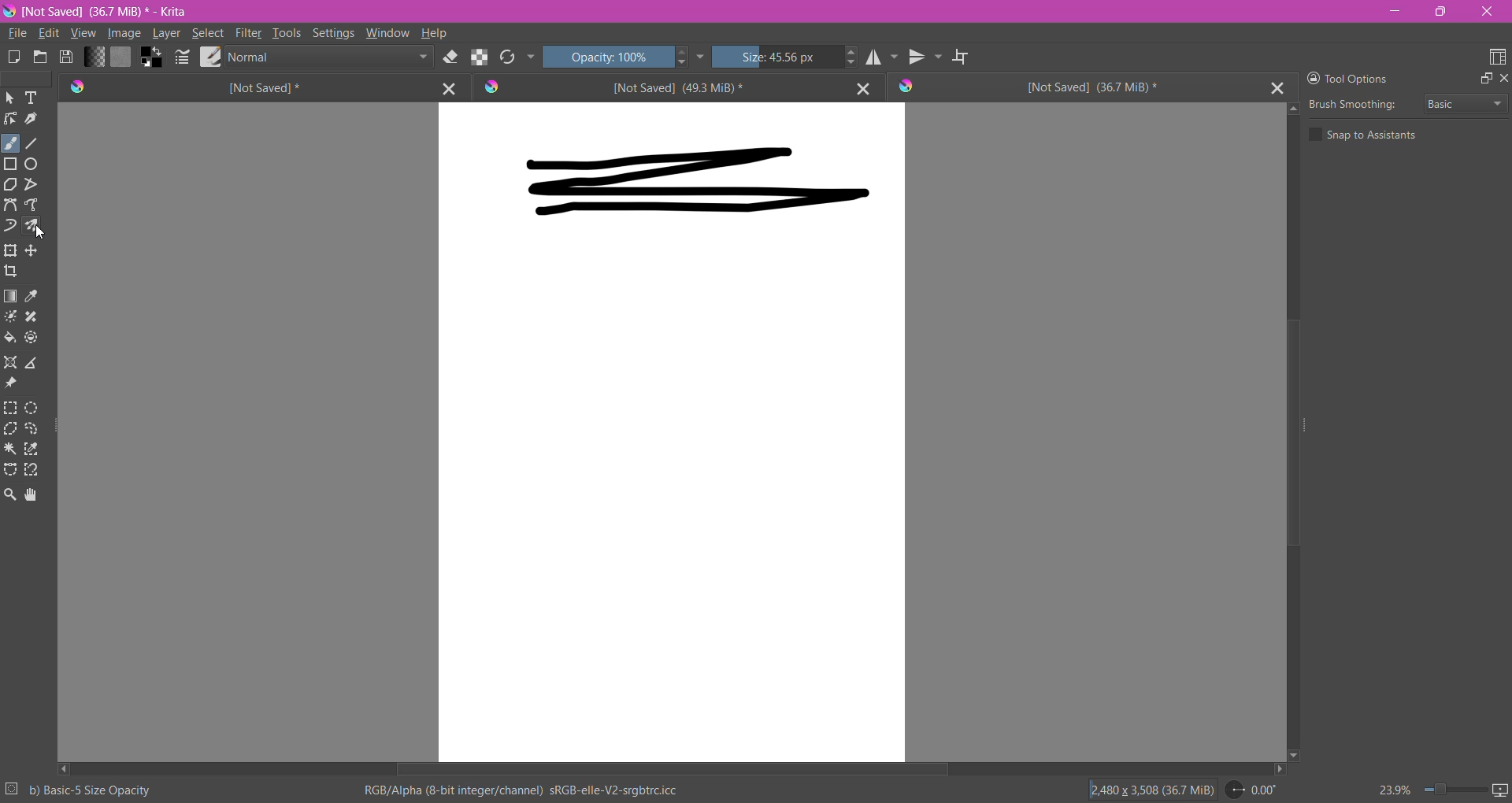 The image size is (1512, 803). What do you see at coordinates (31, 495) in the screenshot?
I see `Pan Tool` at bounding box center [31, 495].